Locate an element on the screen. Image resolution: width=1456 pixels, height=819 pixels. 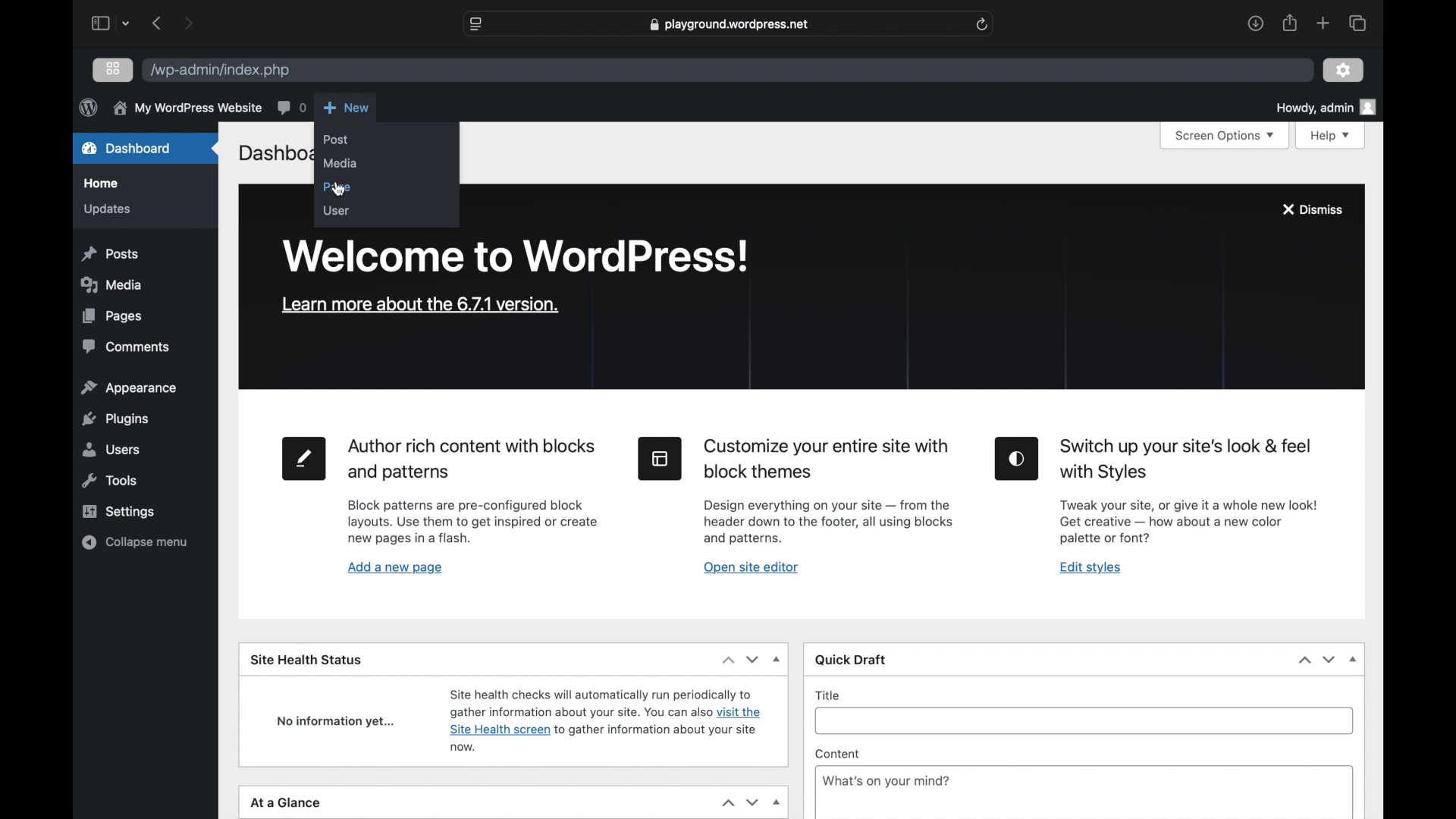
users is located at coordinates (112, 450).